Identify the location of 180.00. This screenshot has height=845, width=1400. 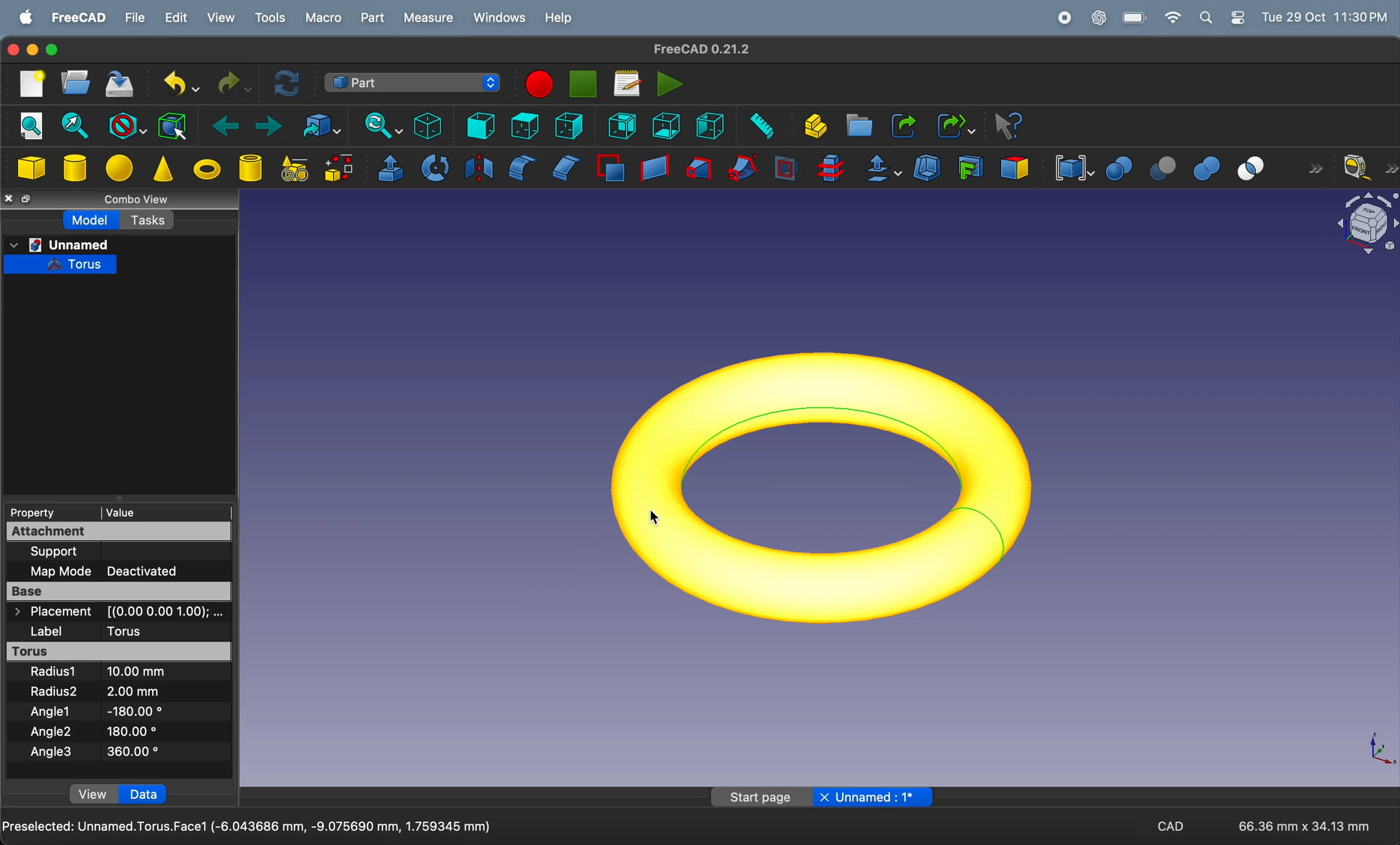
(132, 730).